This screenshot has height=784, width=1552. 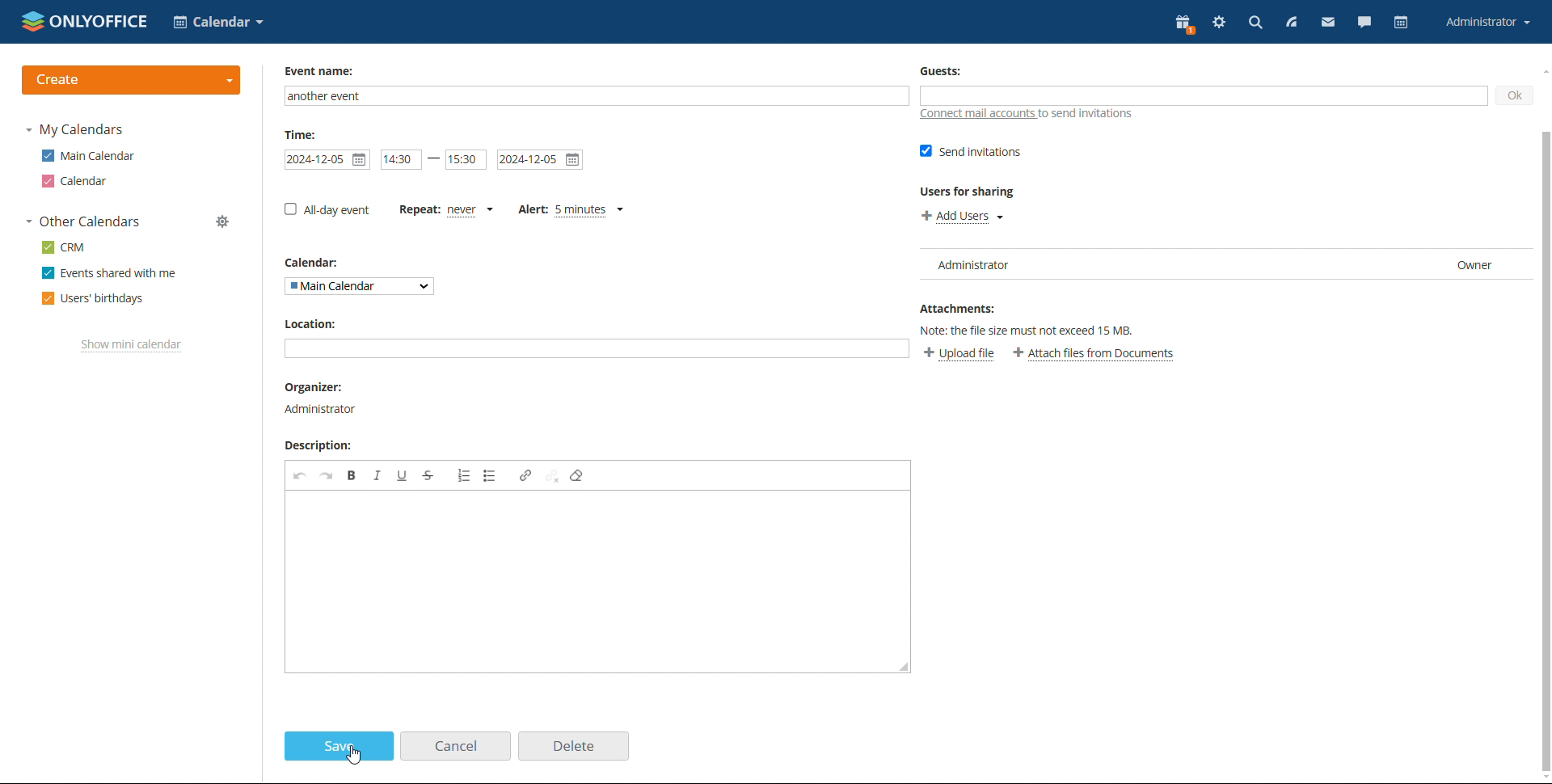 What do you see at coordinates (360, 286) in the screenshot?
I see `select calendar` at bounding box center [360, 286].